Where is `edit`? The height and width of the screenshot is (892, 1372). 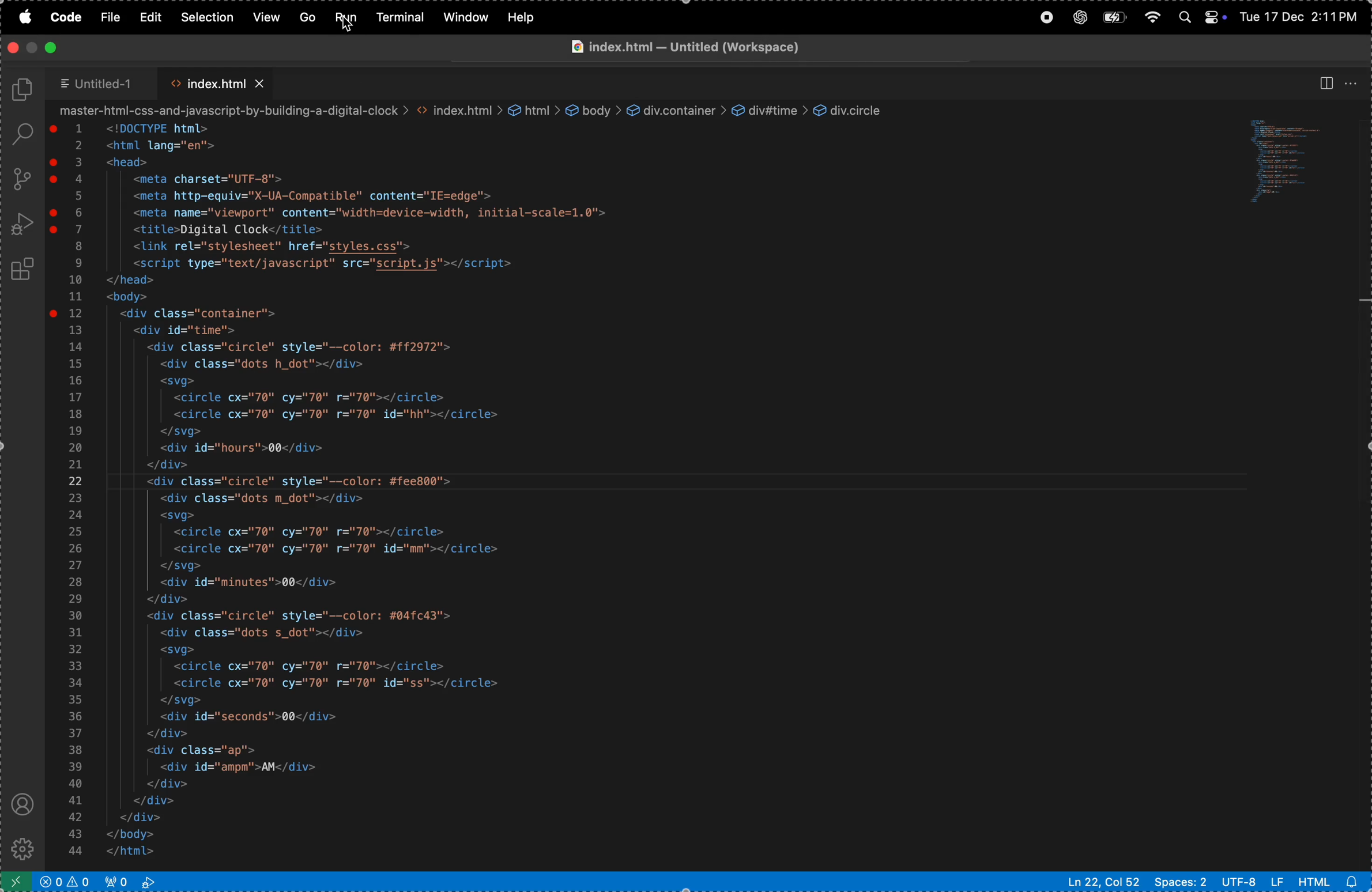 edit is located at coordinates (151, 17).